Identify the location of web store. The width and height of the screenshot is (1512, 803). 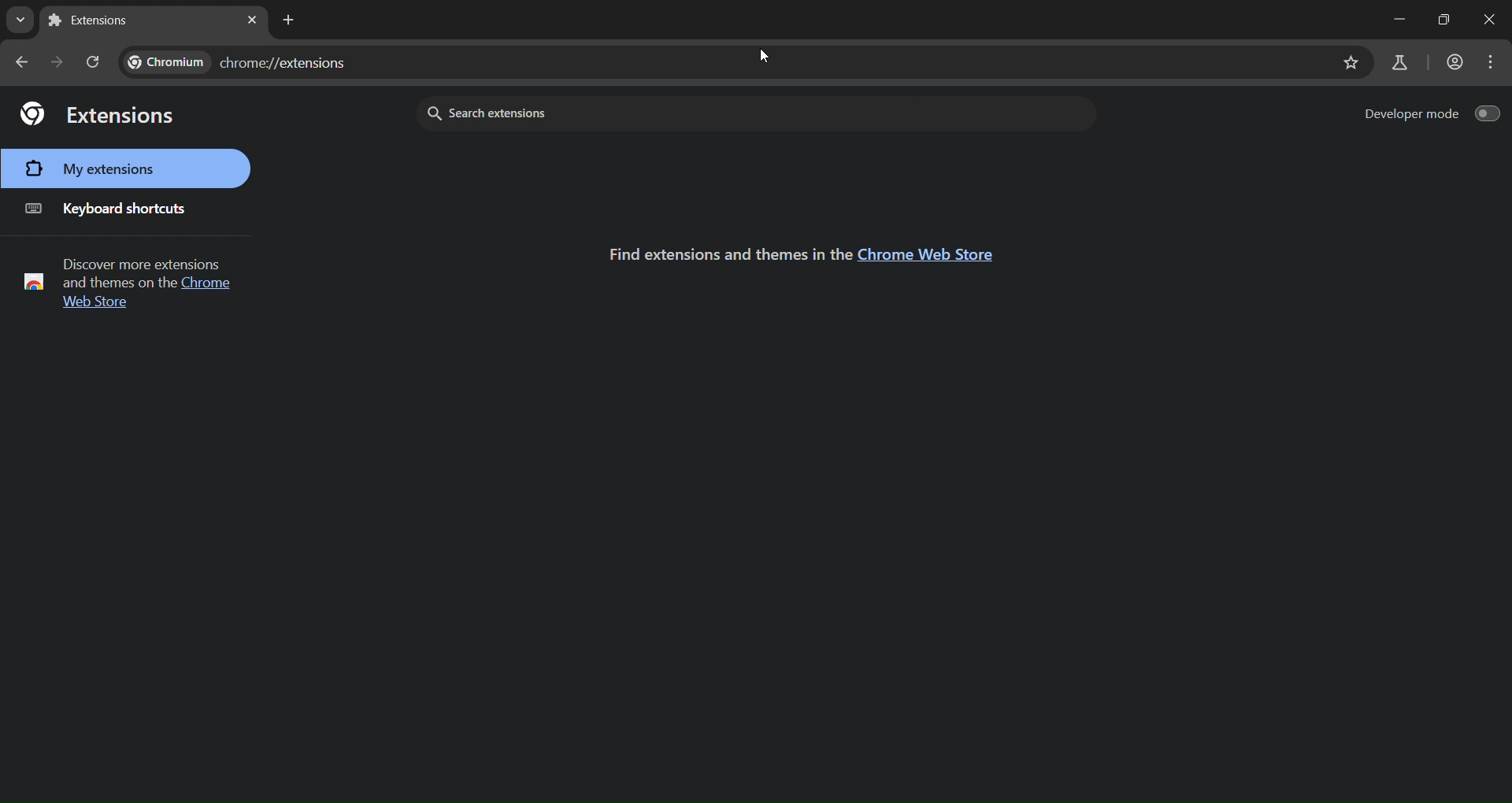
(91, 305).